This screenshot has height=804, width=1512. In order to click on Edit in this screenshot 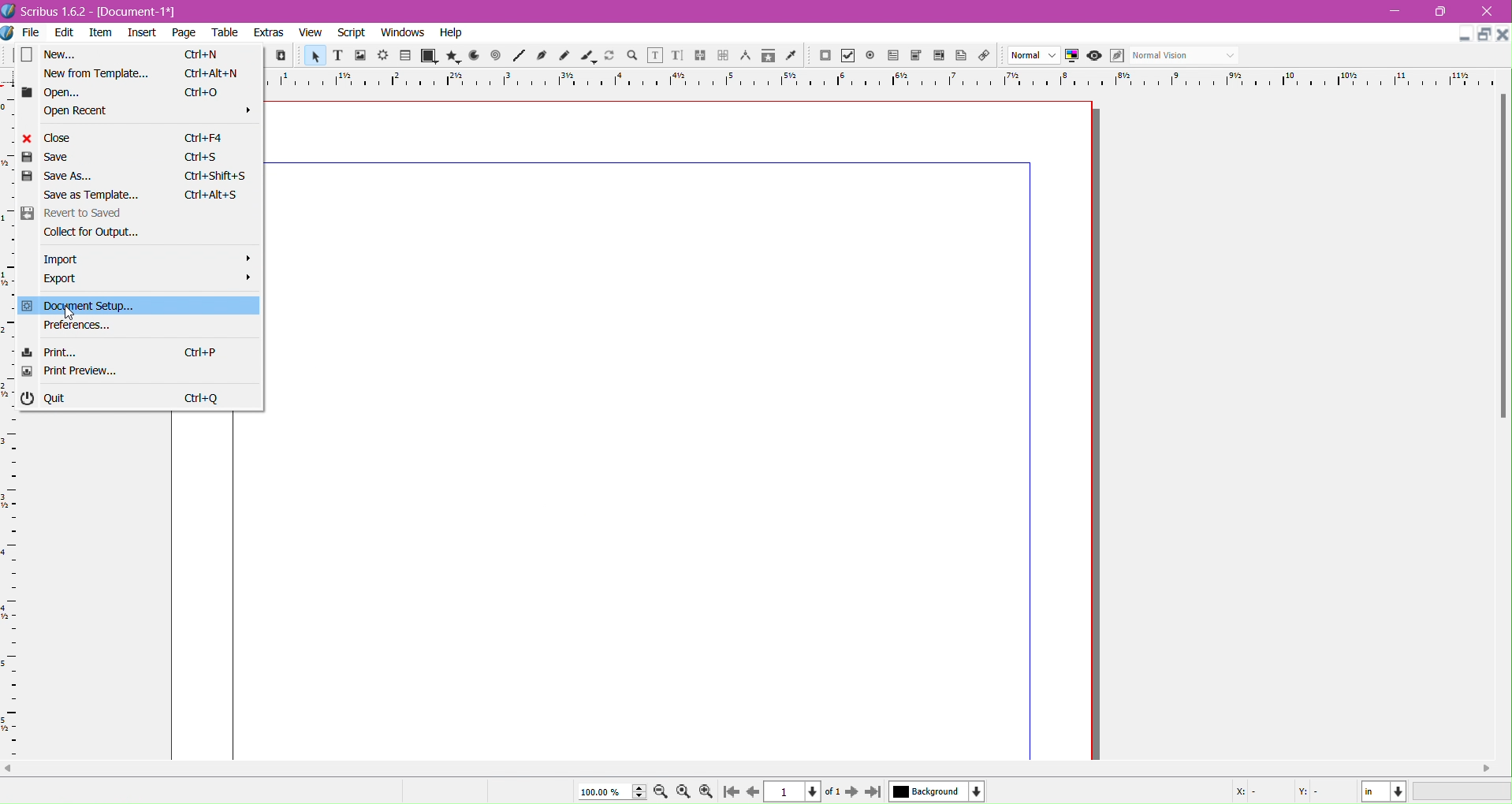, I will do `click(66, 35)`.